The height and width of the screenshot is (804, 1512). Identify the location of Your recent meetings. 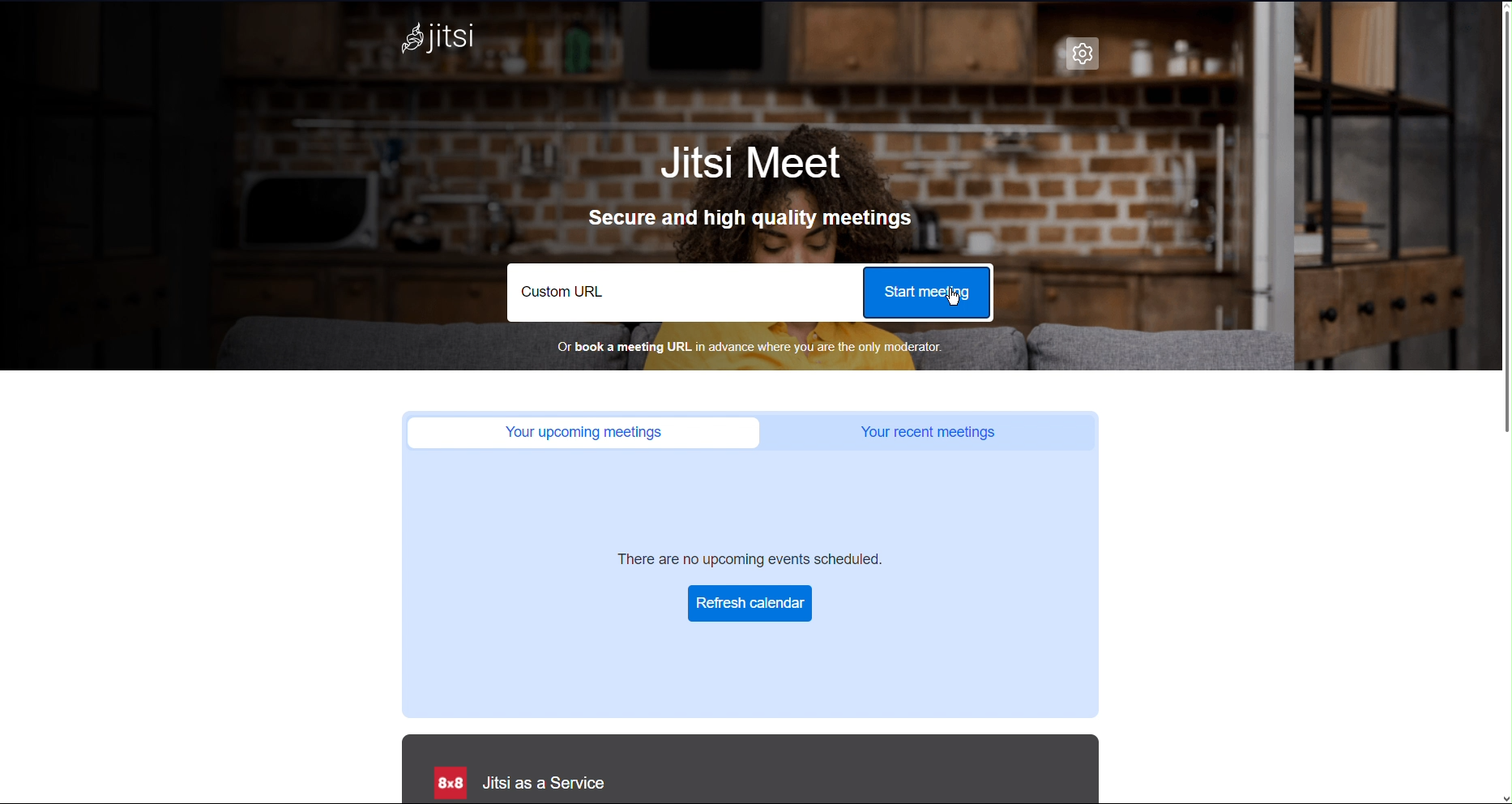
(929, 431).